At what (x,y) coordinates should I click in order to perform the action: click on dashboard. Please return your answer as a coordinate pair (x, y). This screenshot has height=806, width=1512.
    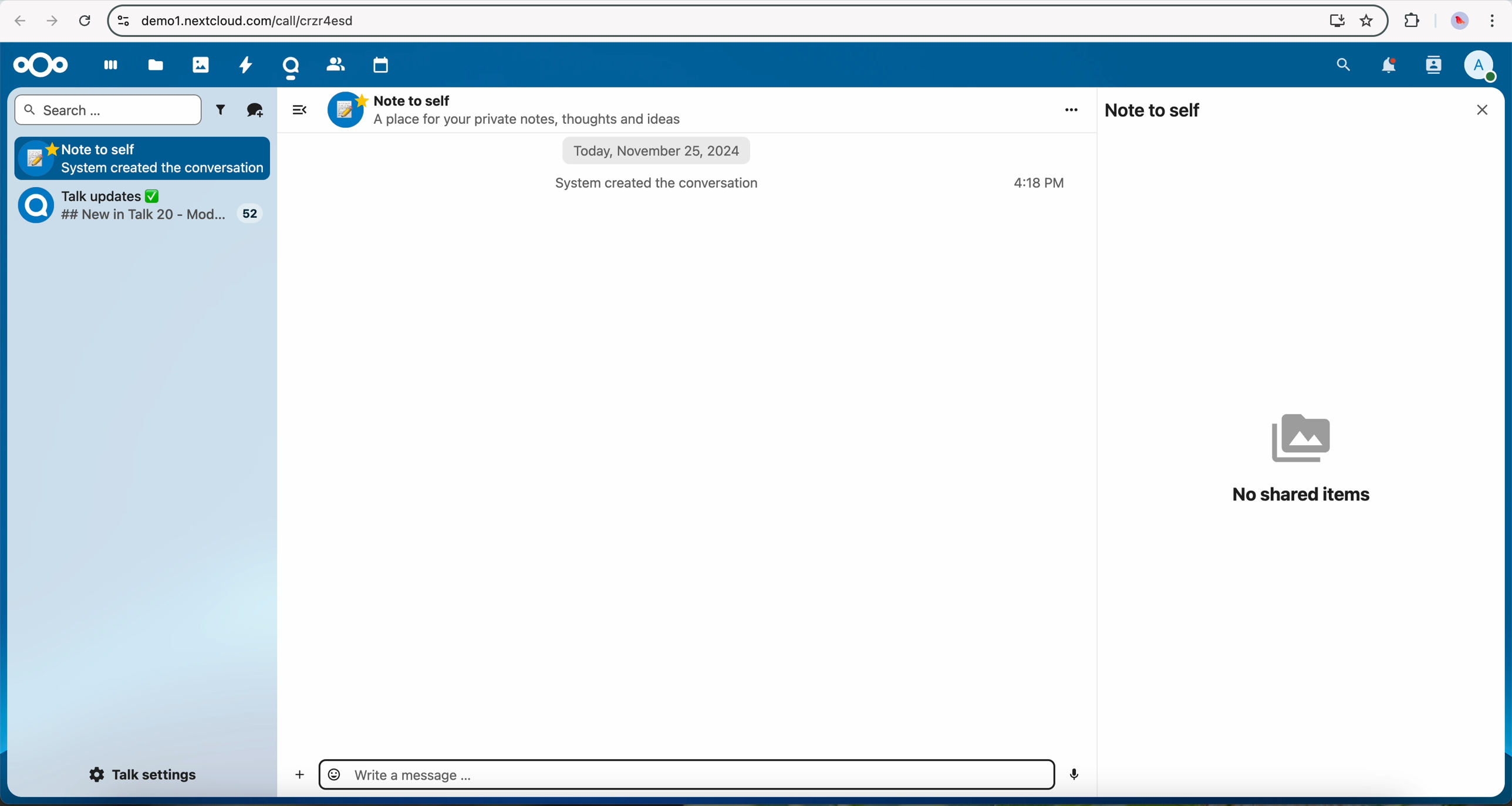
    Looking at the image, I should click on (105, 69).